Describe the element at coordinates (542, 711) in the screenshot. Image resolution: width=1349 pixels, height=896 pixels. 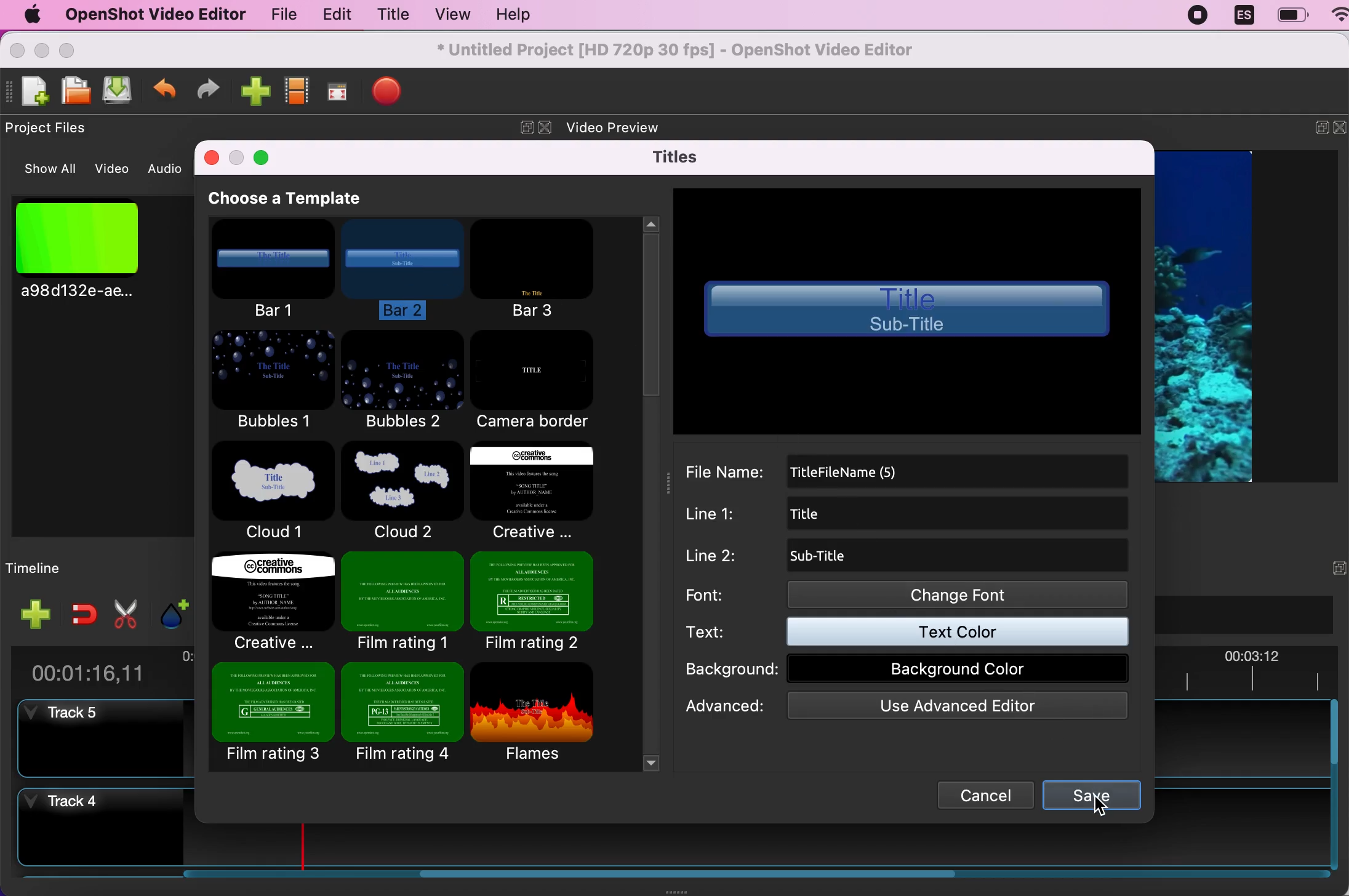
I see `flames` at that location.